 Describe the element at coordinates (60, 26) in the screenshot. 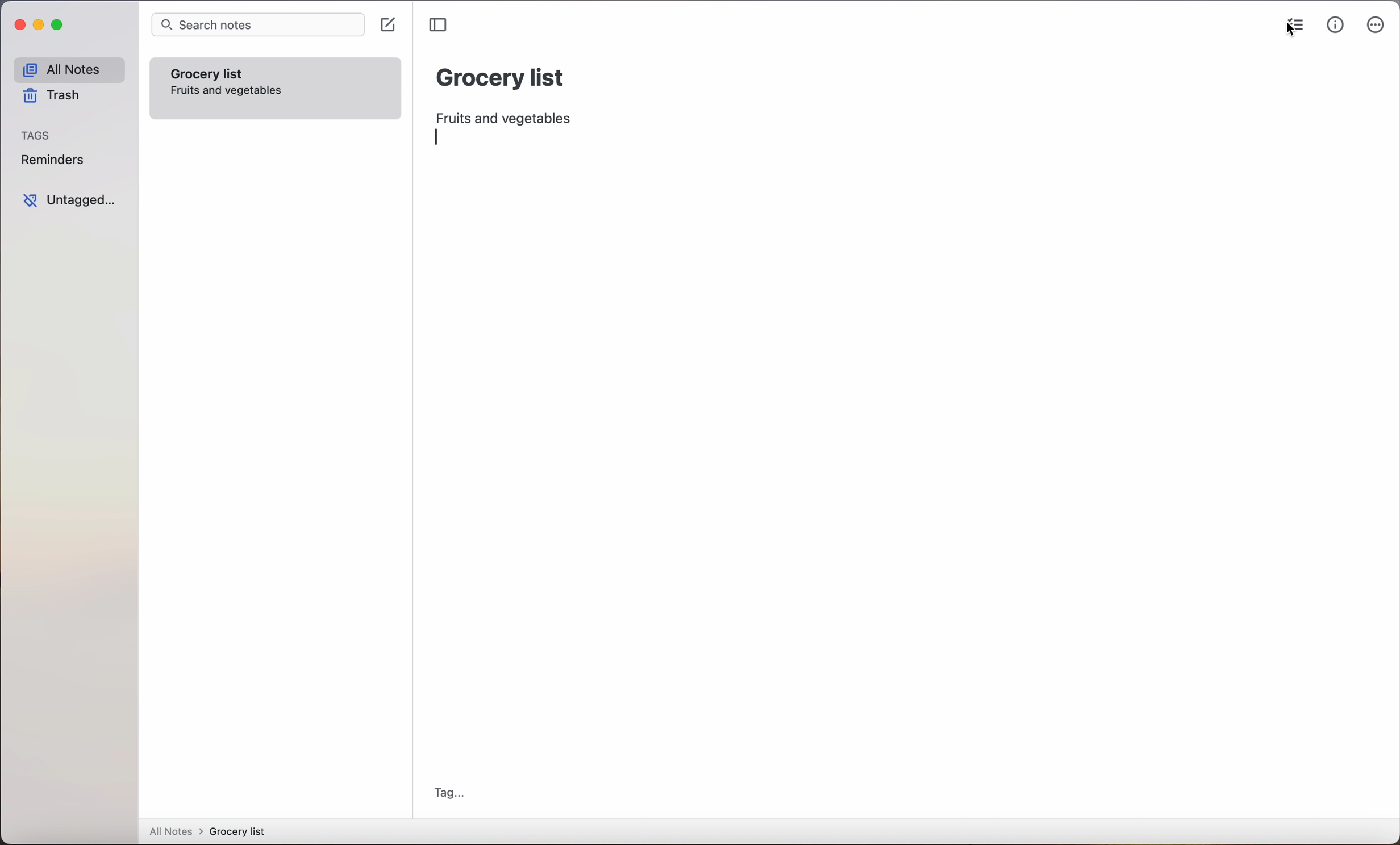

I see `maximize Simplenote` at that location.